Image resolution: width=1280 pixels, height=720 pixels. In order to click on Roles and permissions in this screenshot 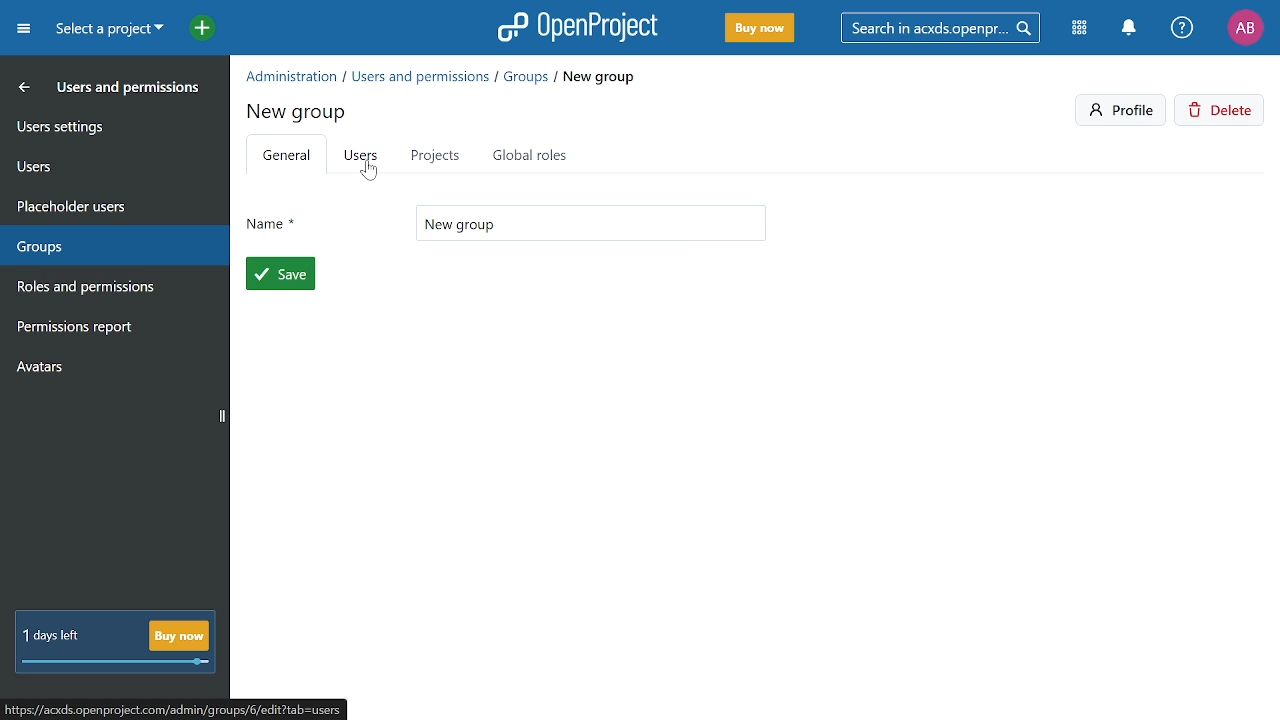, I will do `click(103, 289)`.